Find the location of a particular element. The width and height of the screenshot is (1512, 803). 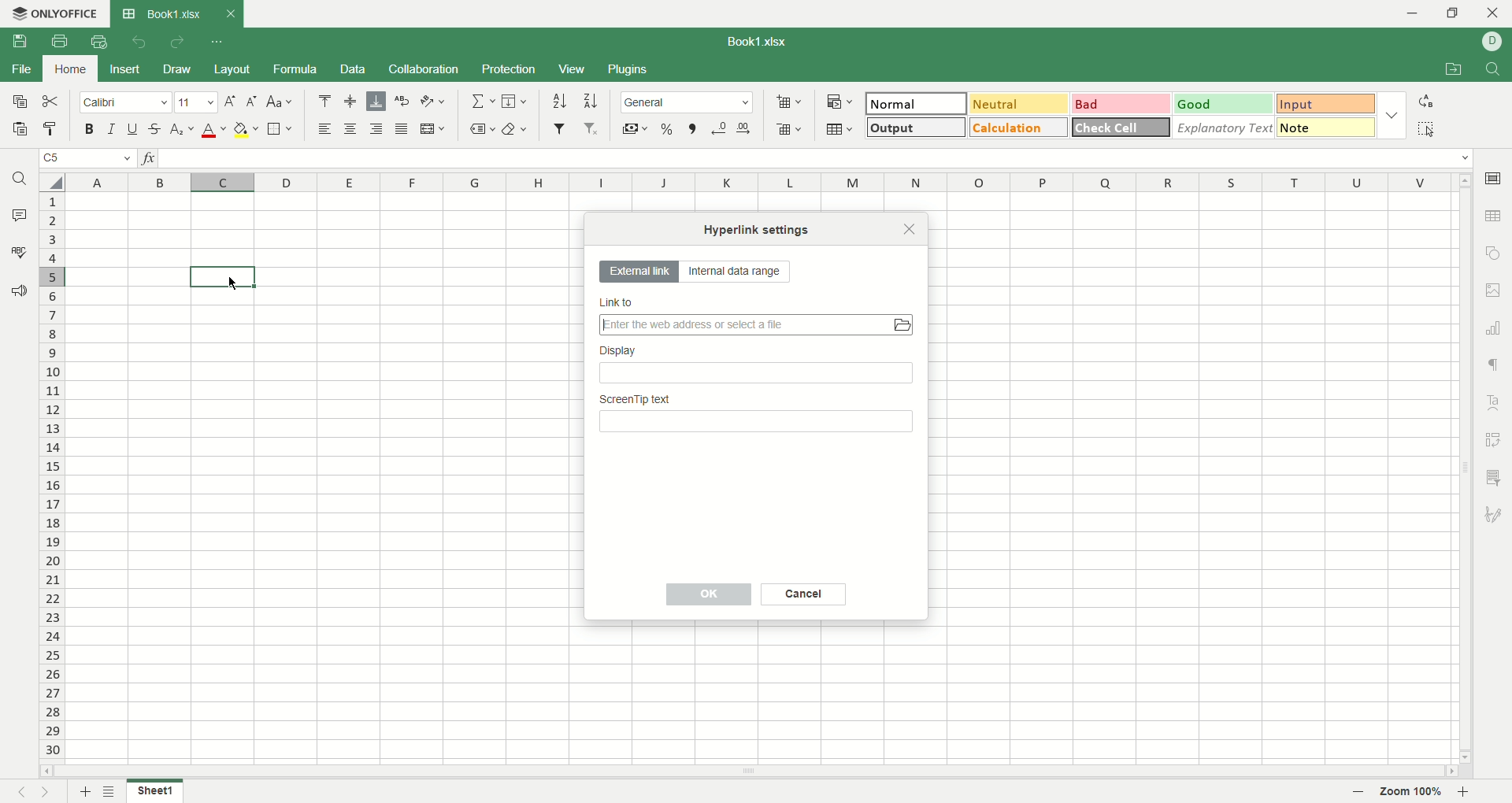

output is located at coordinates (913, 127).